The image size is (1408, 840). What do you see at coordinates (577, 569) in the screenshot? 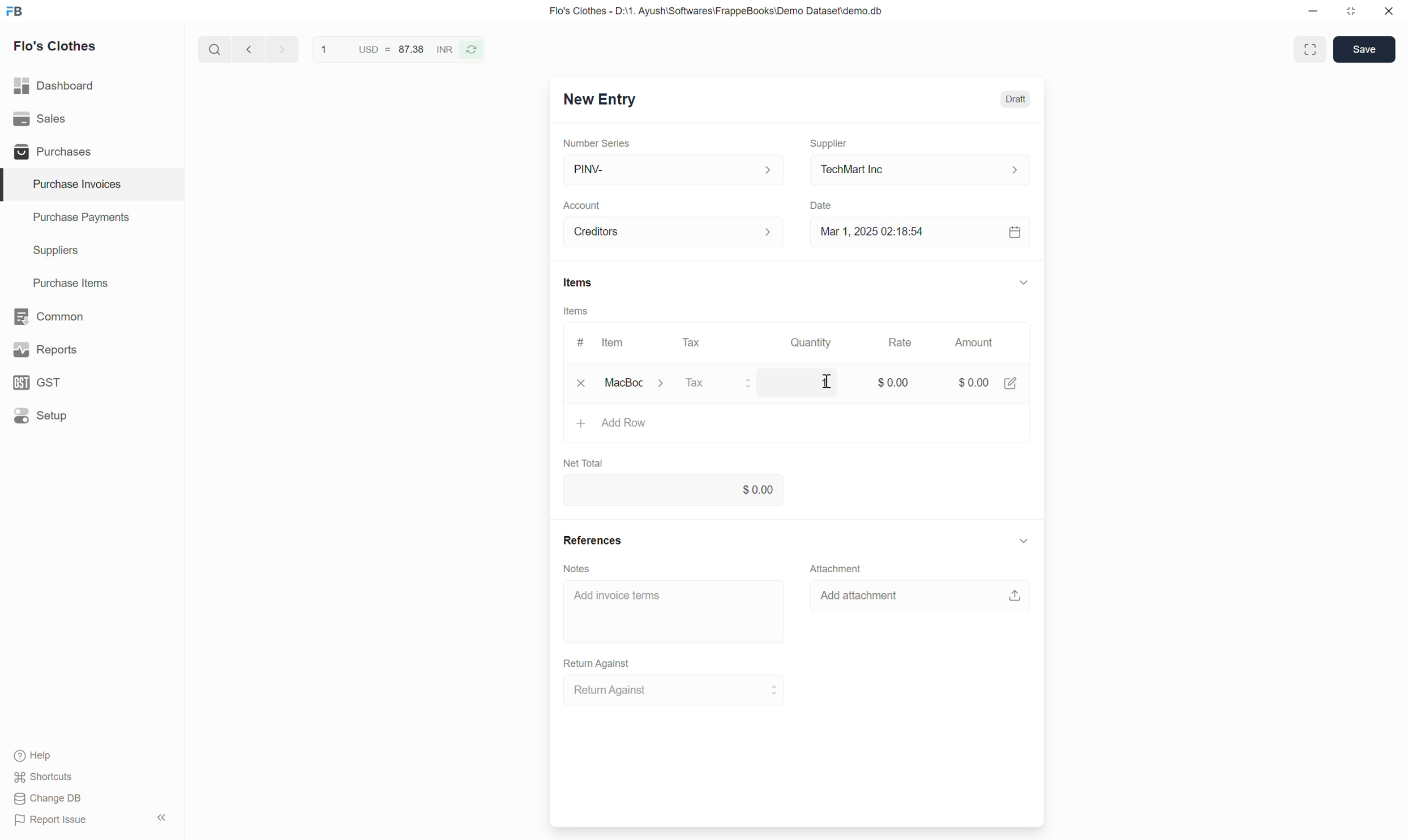
I see `Notes` at bounding box center [577, 569].